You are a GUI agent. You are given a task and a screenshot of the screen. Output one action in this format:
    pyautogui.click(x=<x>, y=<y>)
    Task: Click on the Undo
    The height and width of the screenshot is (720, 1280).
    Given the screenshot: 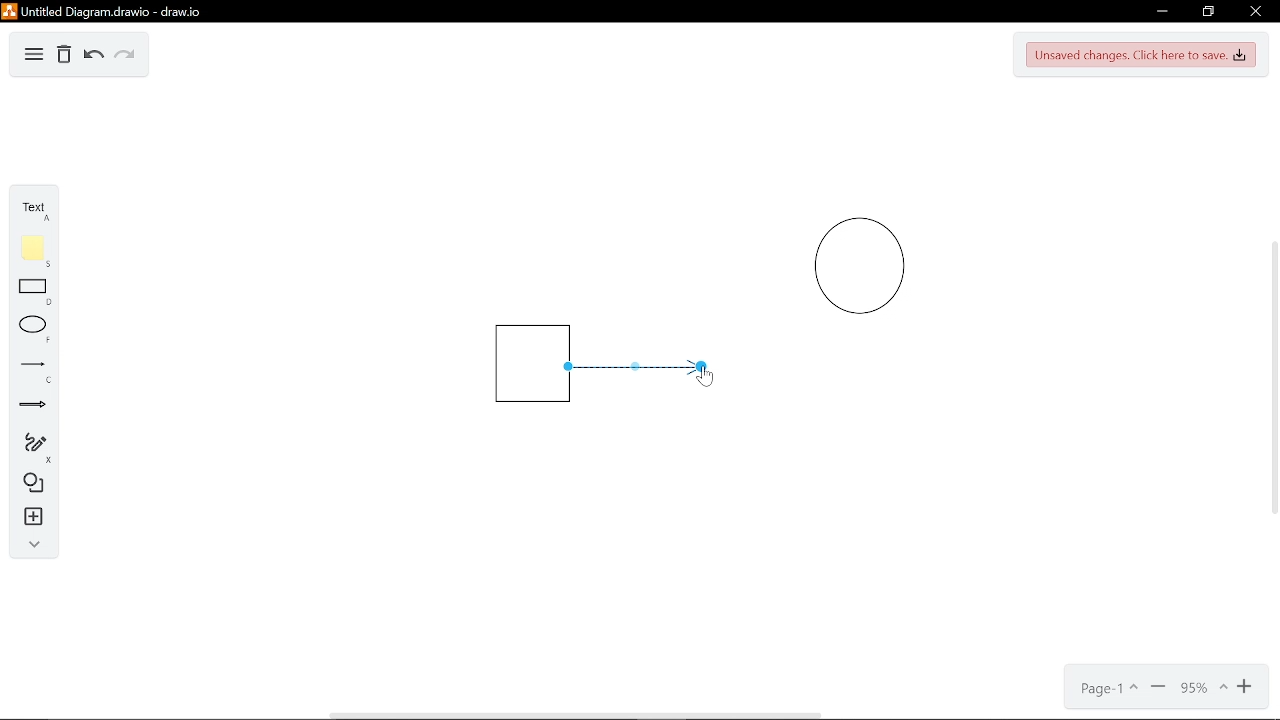 What is the action you would take?
    pyautogui.click(x=93, y=55)
    